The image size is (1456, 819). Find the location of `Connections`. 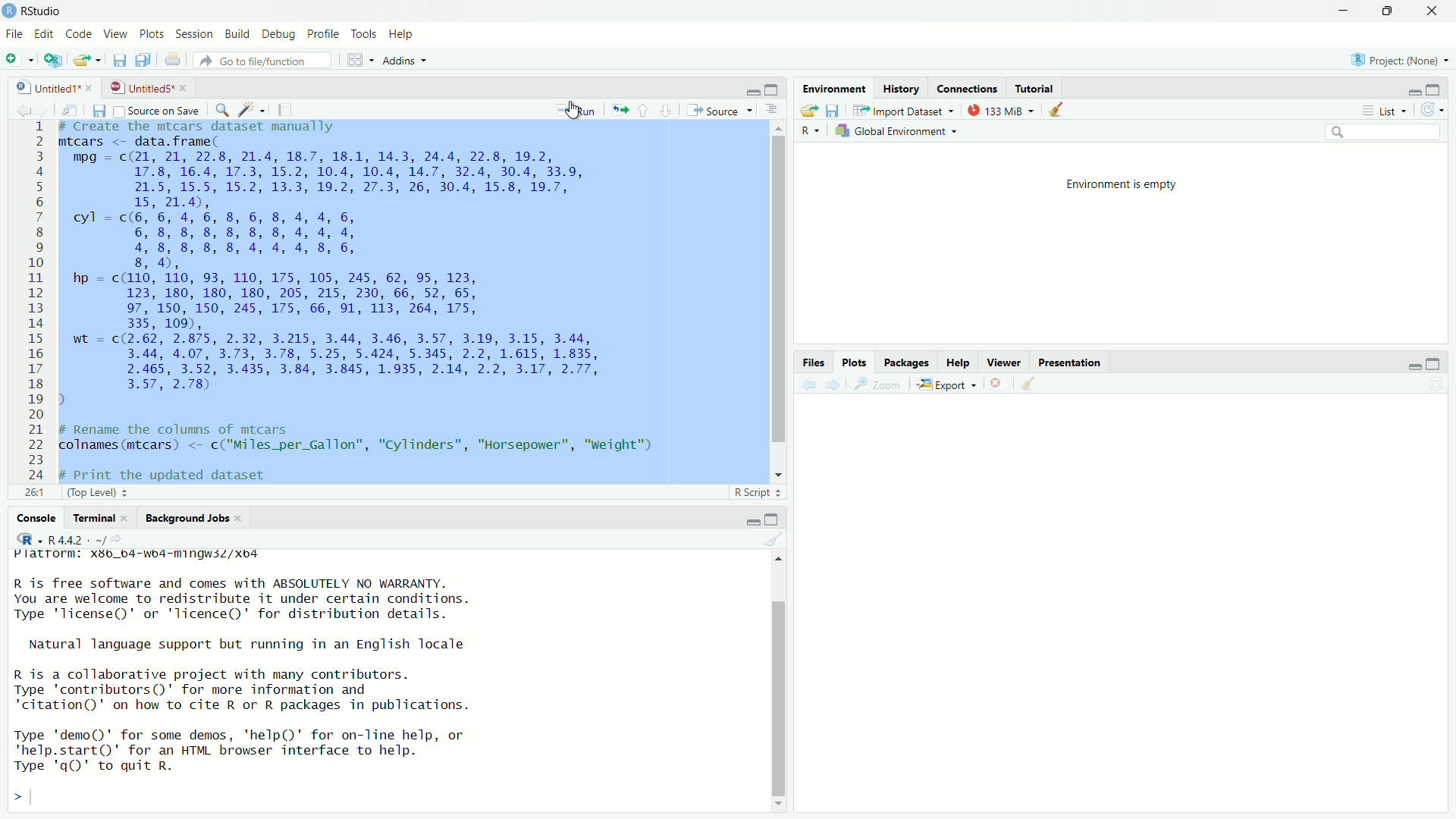

Connections is located at coordinates (967, 89).